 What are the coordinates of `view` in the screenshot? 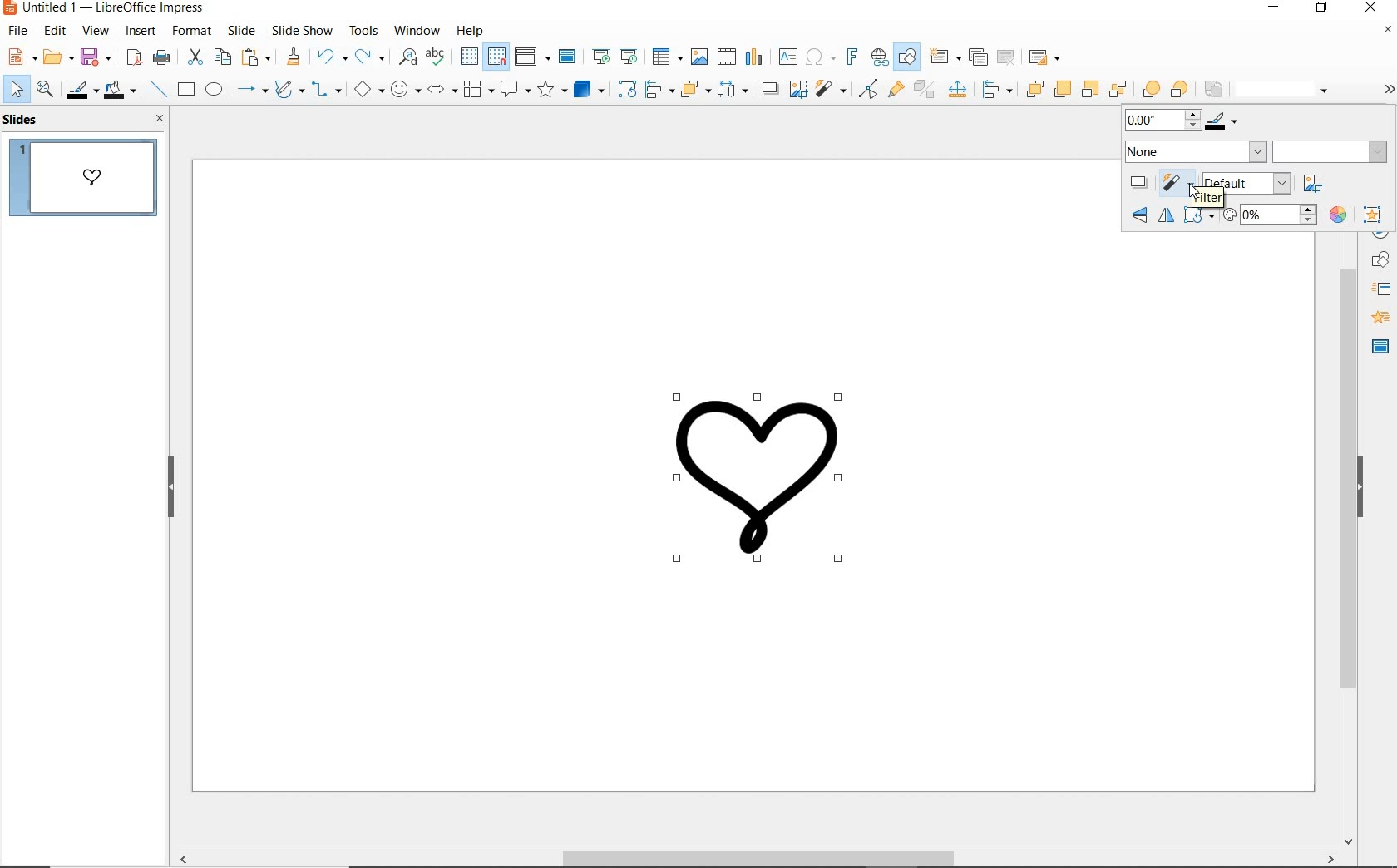 It's located at (96, 32).